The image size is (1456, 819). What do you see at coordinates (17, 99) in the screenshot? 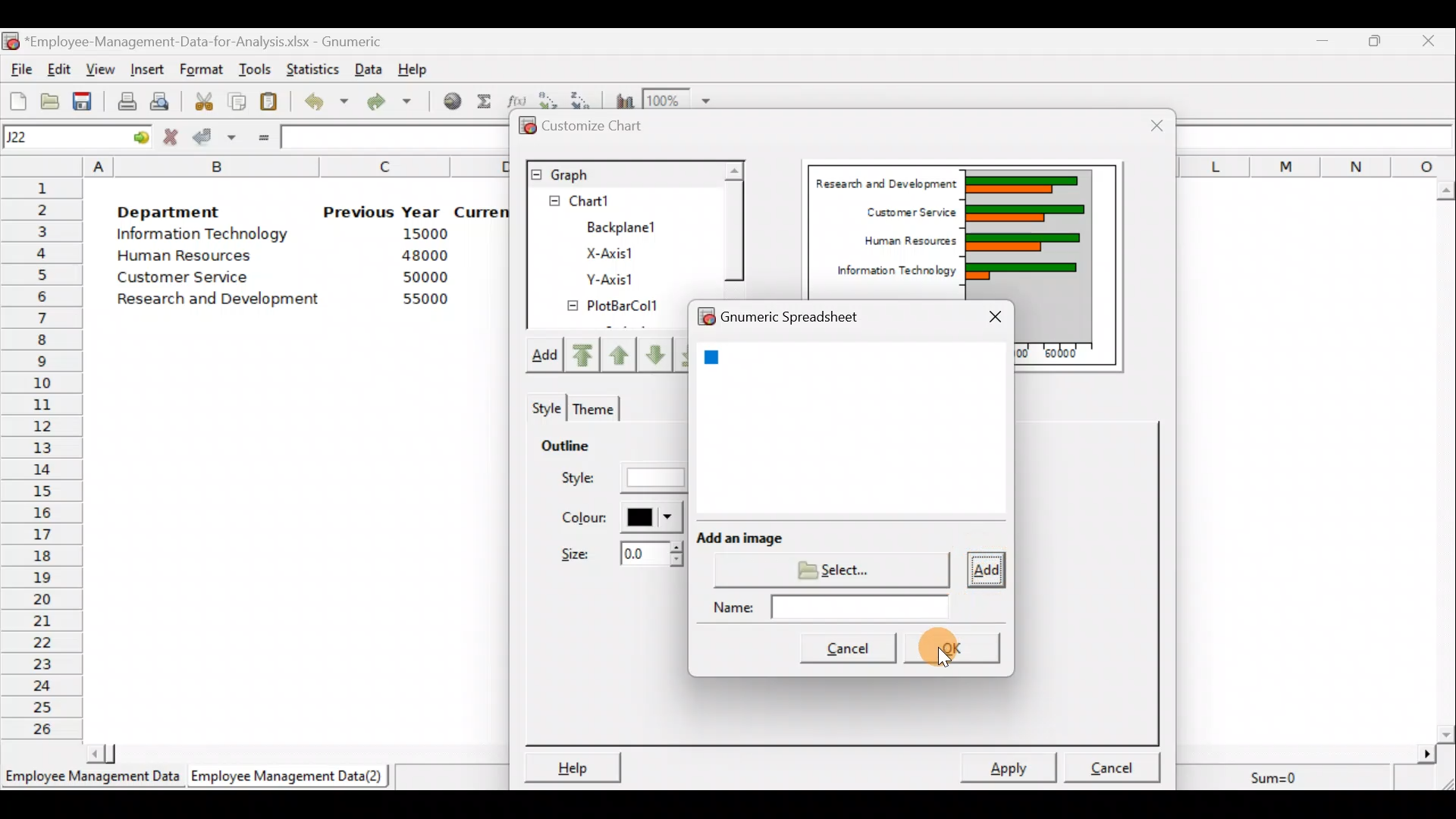
I see `Create a new workbook` at bounding box center [17, 99].